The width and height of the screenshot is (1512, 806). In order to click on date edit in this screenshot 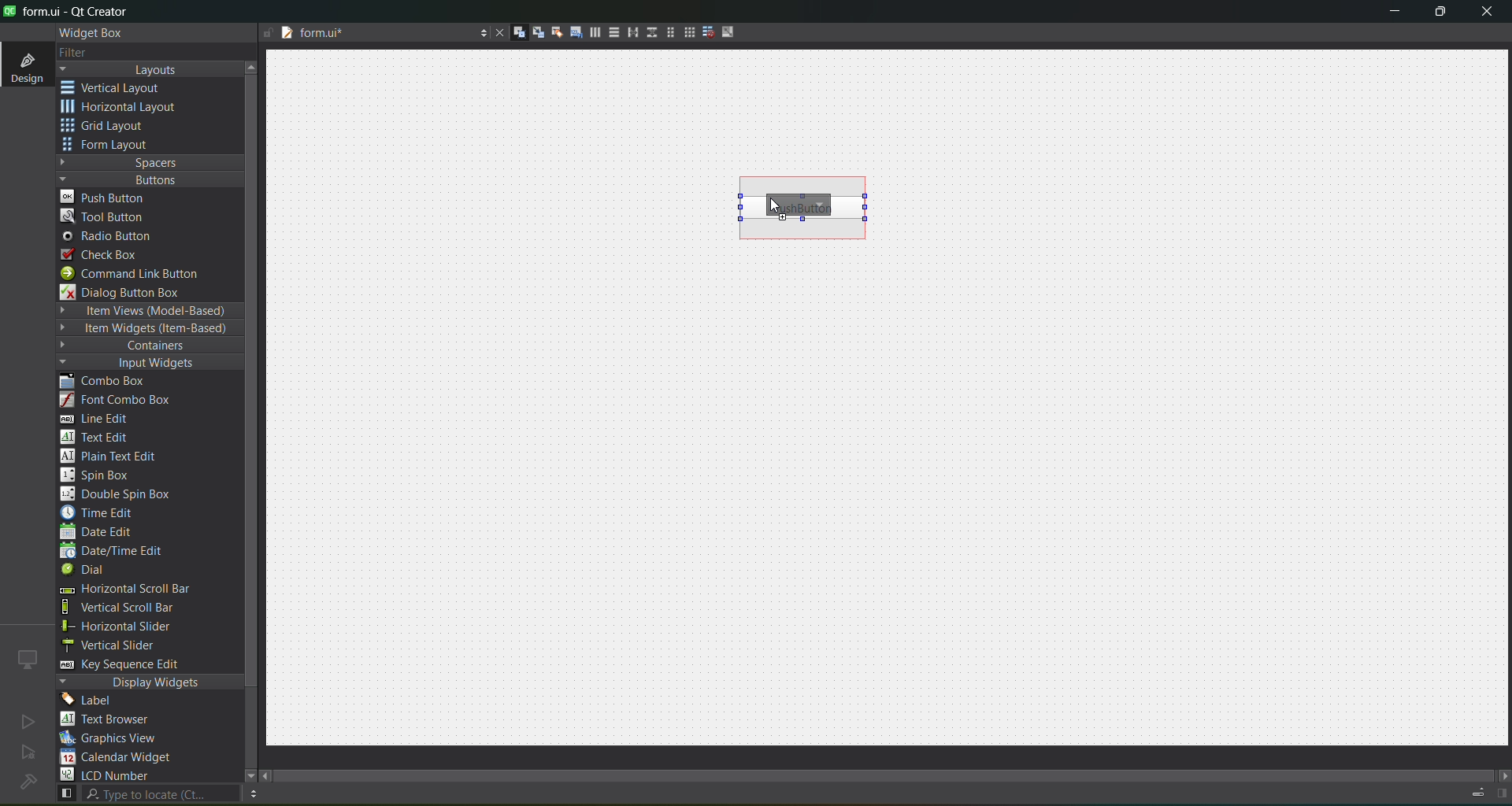, I will do `click(100, 533)`.